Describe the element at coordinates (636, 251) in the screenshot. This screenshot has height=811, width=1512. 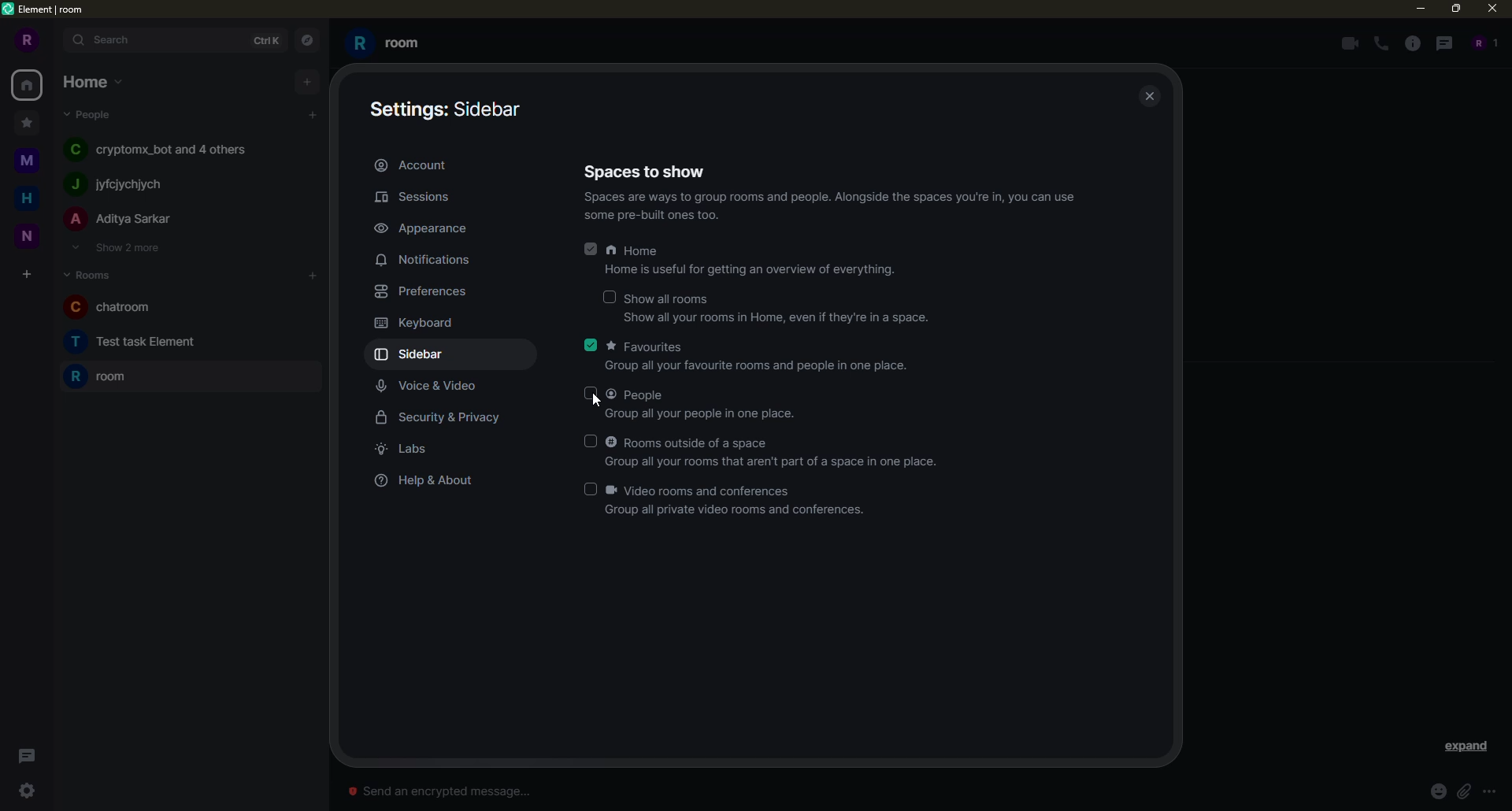
I see `home` at that location.